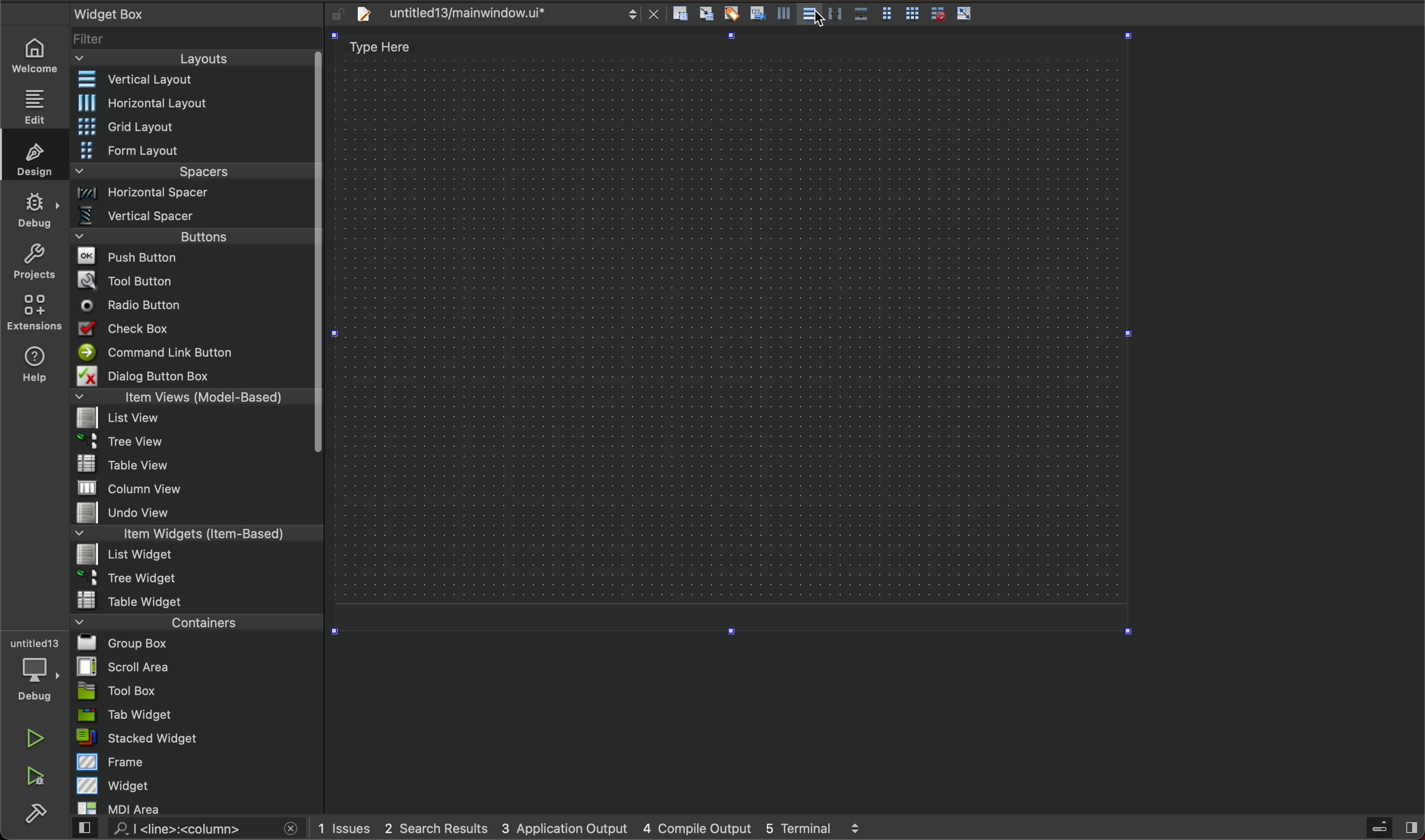  What do you see at coordinates (196, 621) in the screenshot?
I see `containers` at bounding box center [196, 621].